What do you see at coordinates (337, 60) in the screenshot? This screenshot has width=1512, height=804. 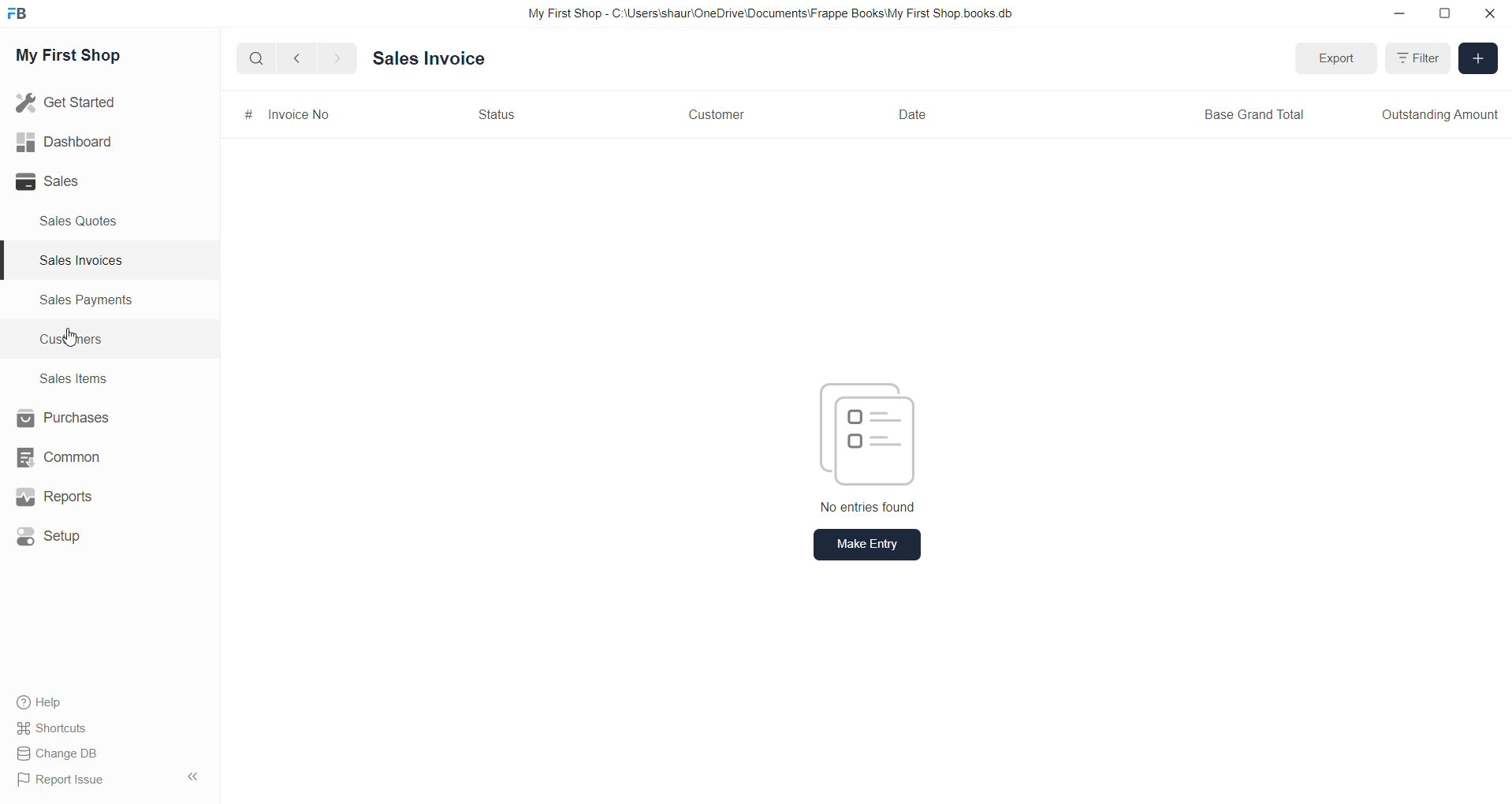 I see `go forward` at bounding box center [337, 60].